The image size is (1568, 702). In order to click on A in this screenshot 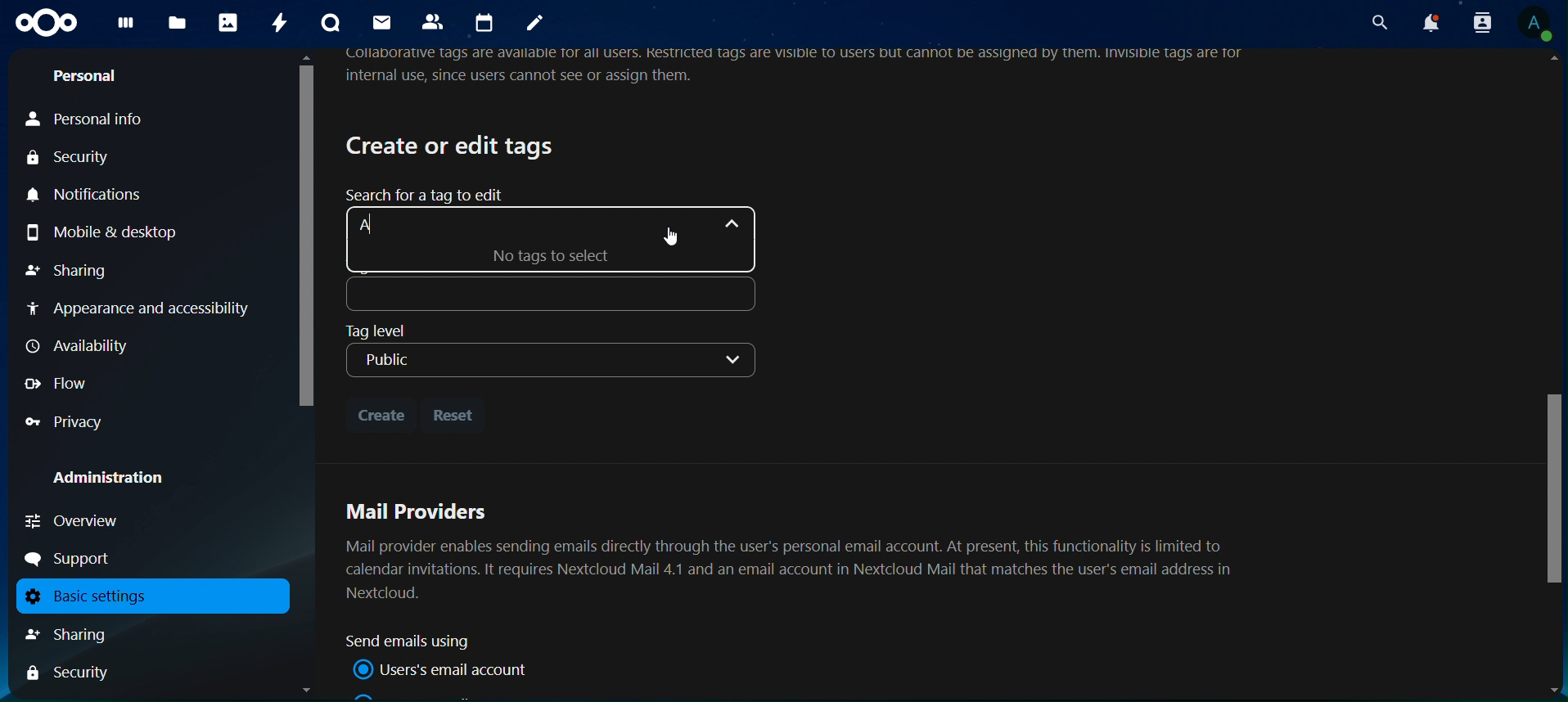, I will do `click(387, 224)`.